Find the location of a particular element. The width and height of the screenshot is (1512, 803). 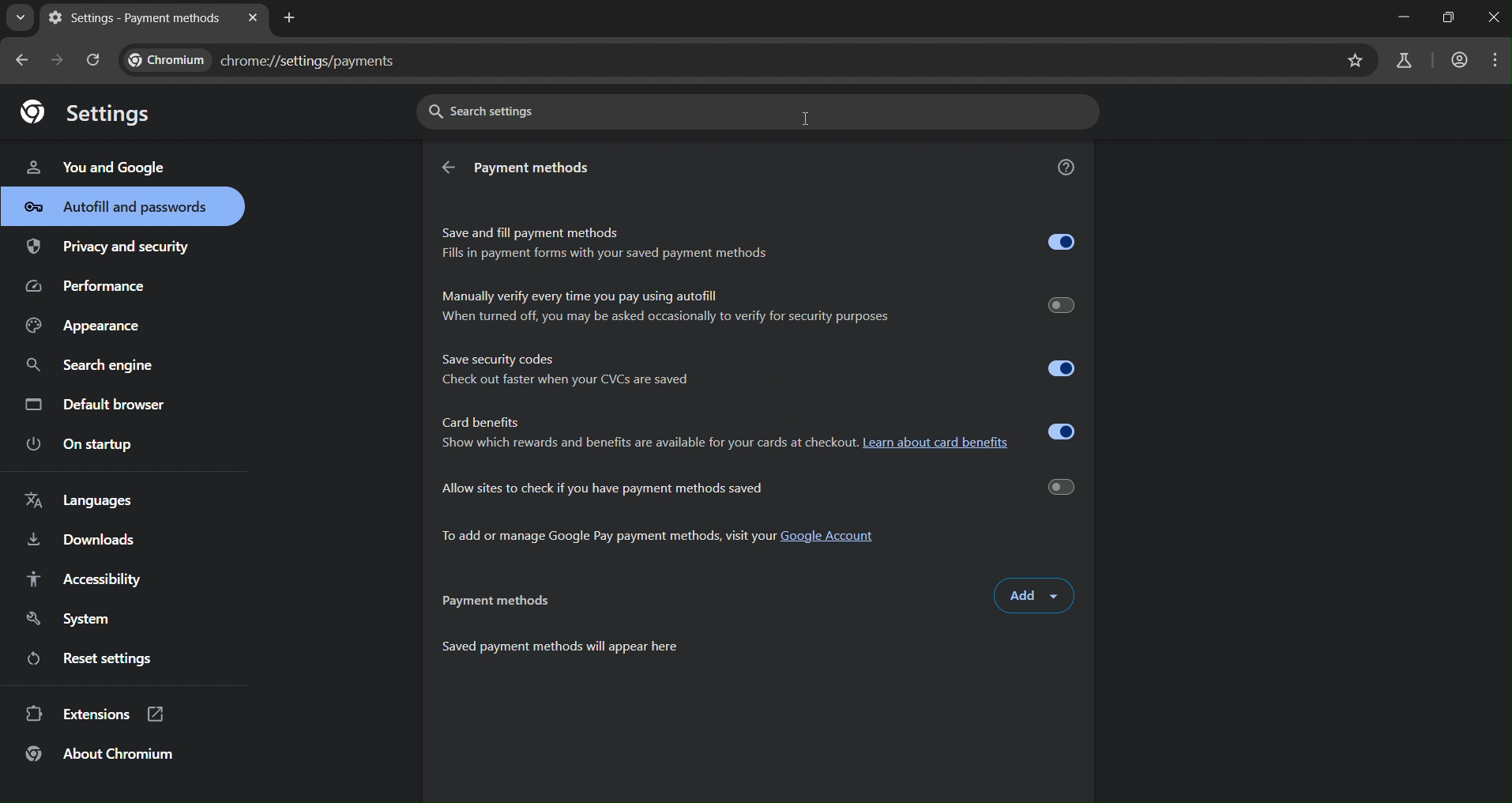

Google Account is located at coordinates (831, 537).